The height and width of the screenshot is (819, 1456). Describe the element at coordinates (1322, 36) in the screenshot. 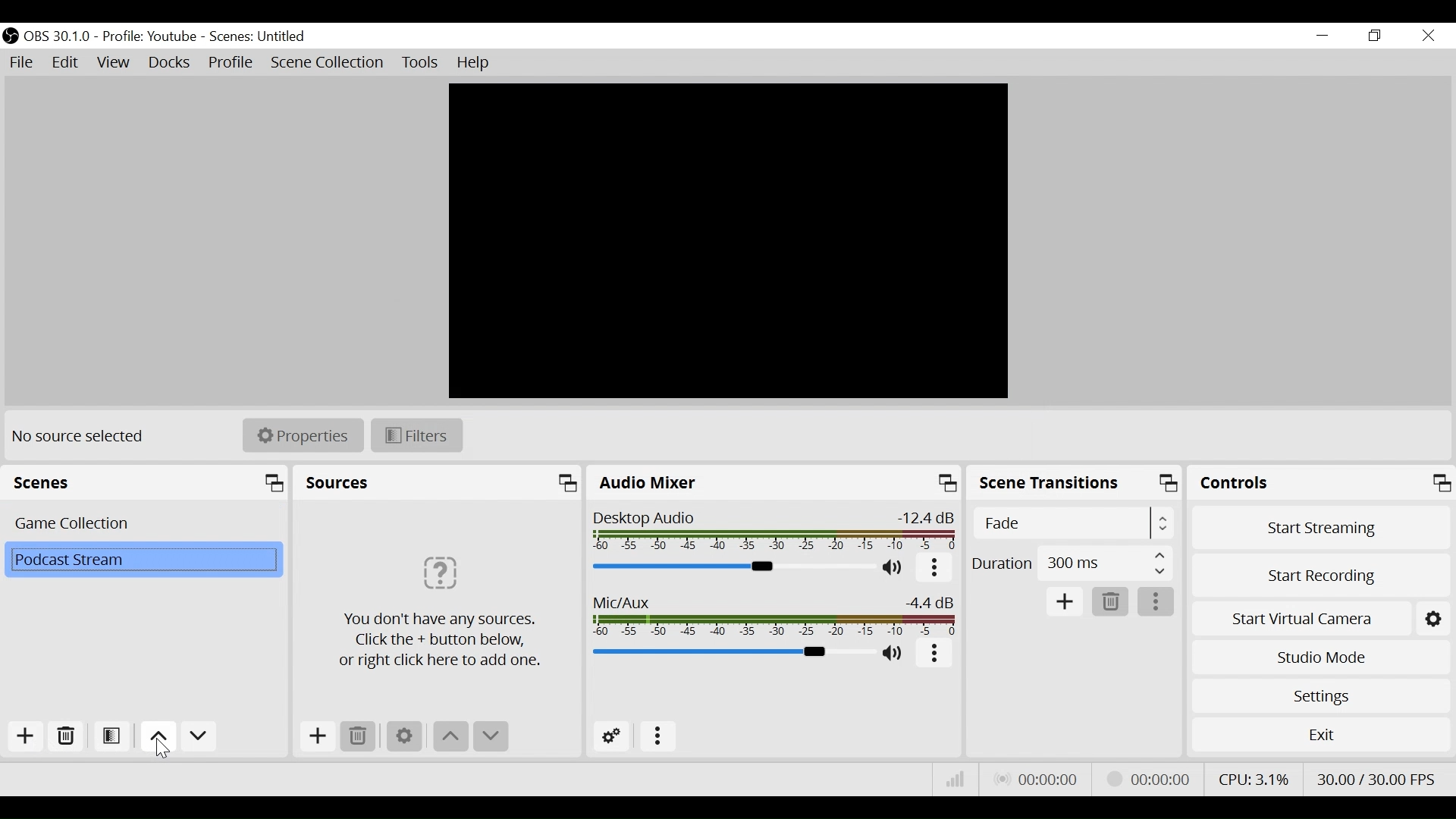

I see `minimize` at that location.